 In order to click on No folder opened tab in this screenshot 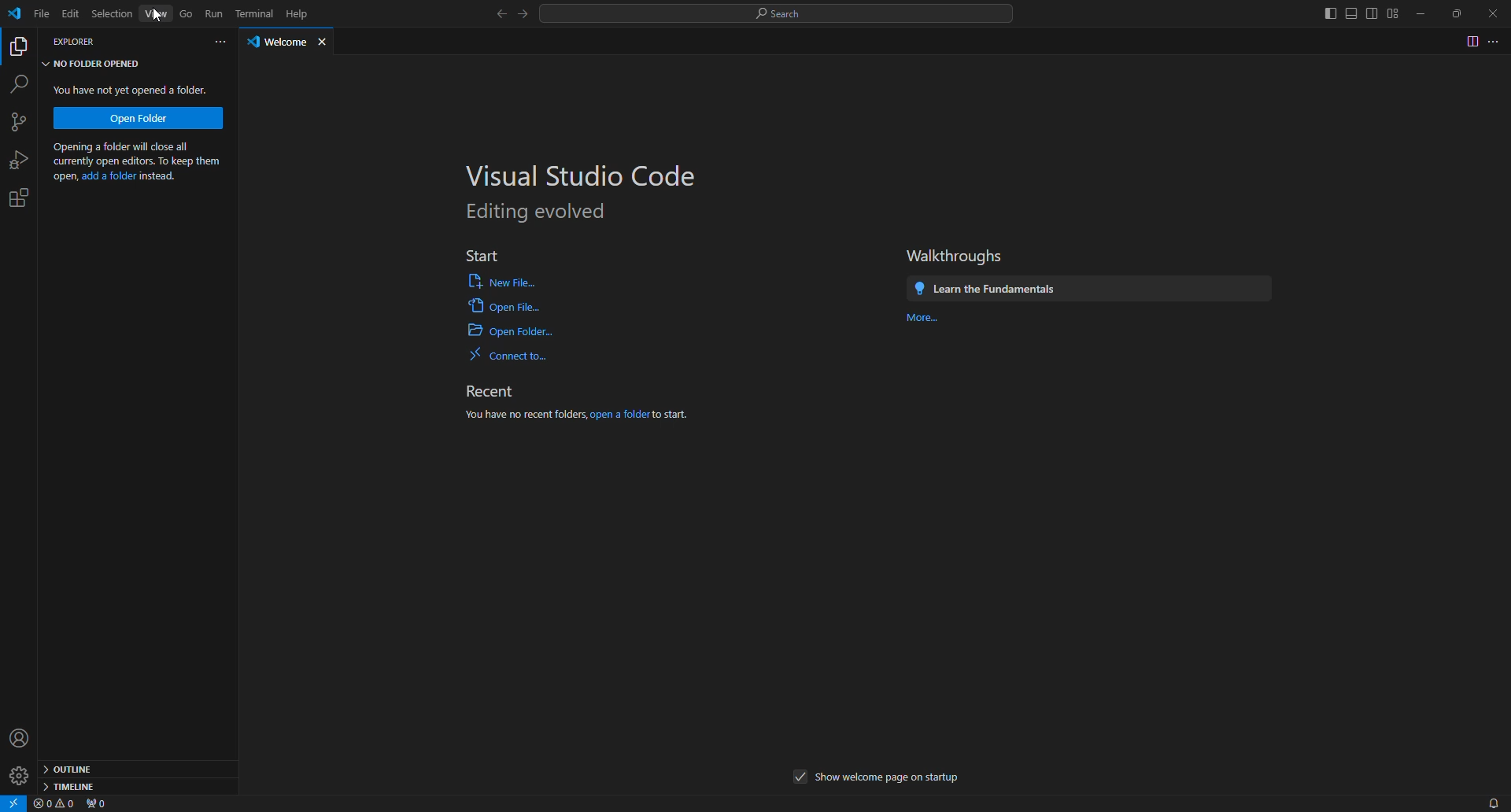, I will do `click(95, 63)`.